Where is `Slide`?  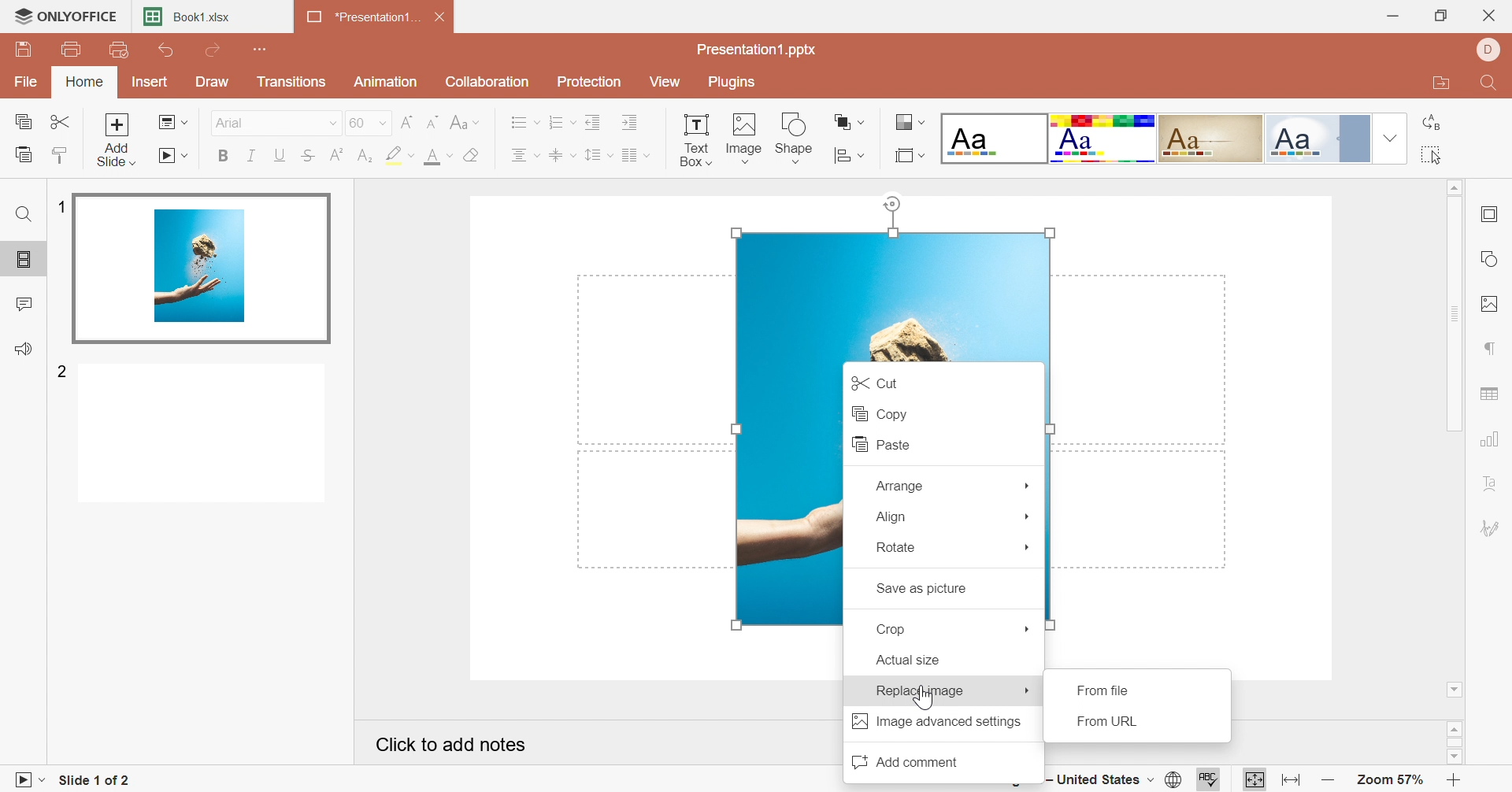
Slide is located at coordinates (202, 435).